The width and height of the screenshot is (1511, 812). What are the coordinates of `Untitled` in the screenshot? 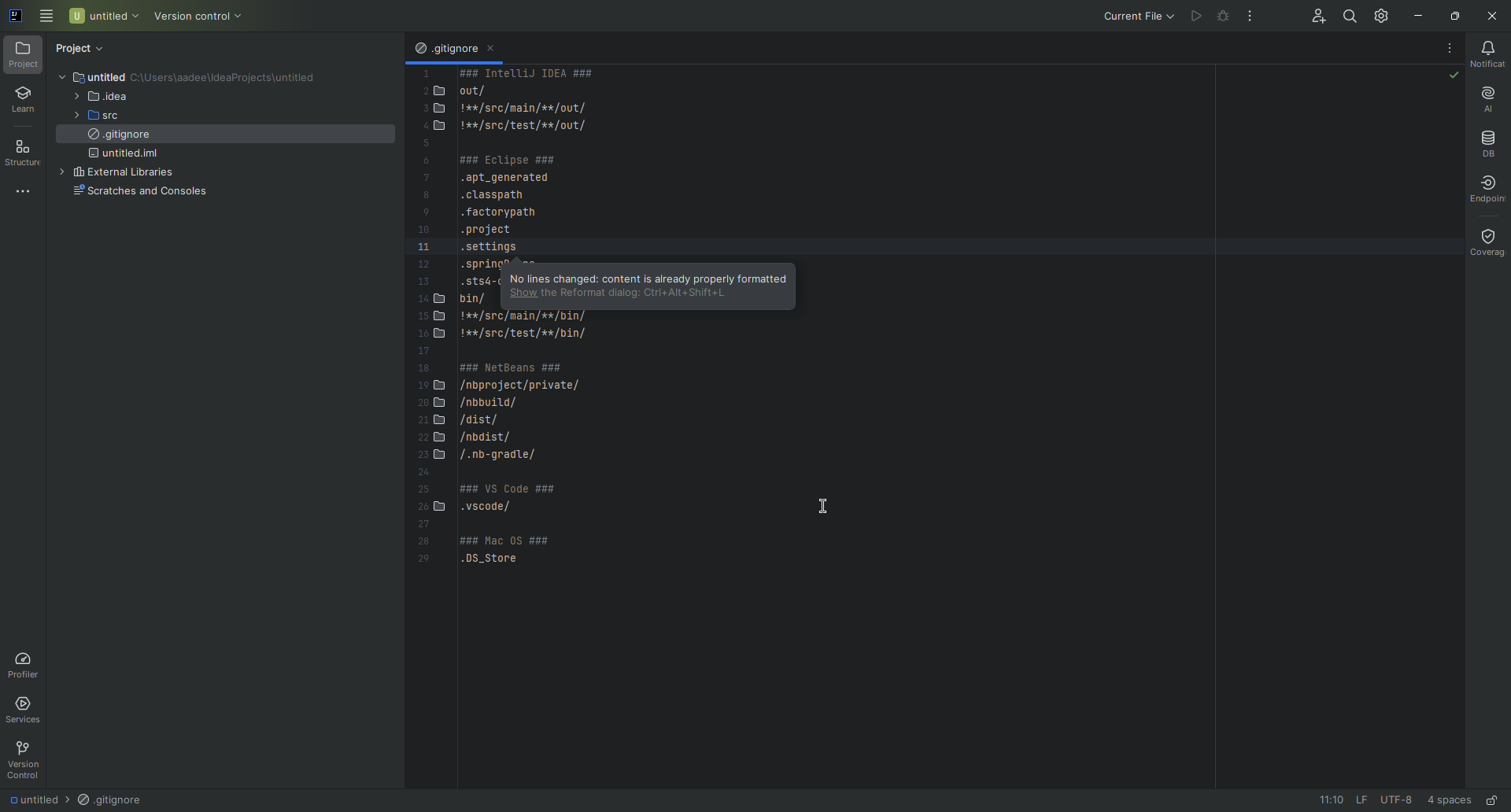 It's located at (104, 15).